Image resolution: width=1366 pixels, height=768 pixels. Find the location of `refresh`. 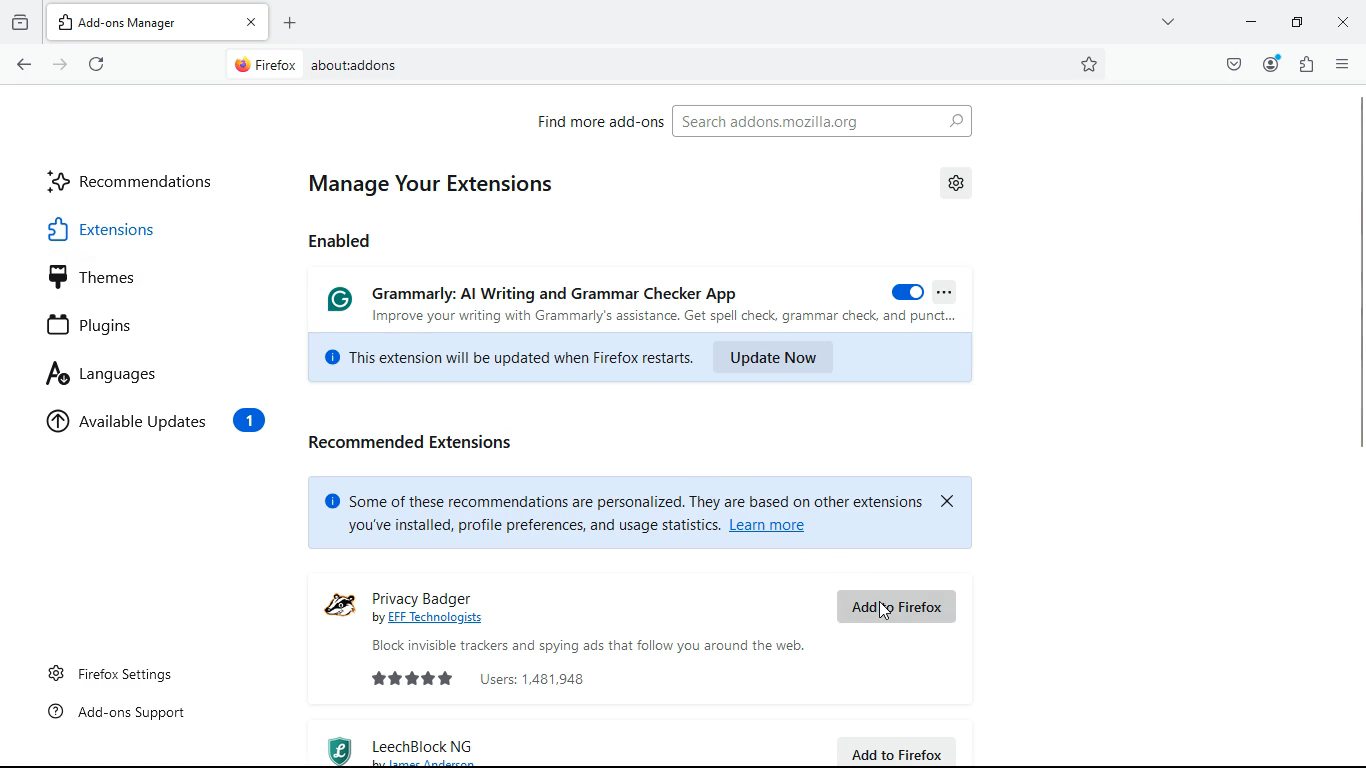

refresh is located at coordinates (92, 64).